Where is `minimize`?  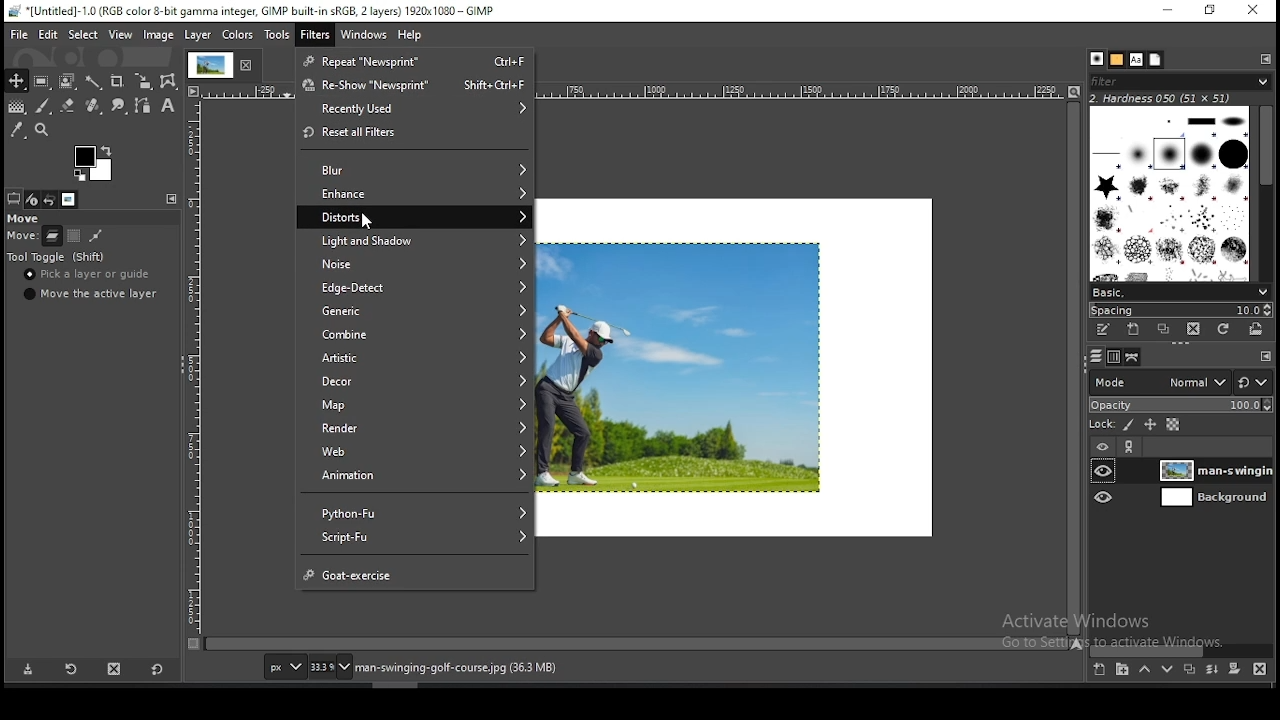 minimize is located at coordinates (1169, 11).